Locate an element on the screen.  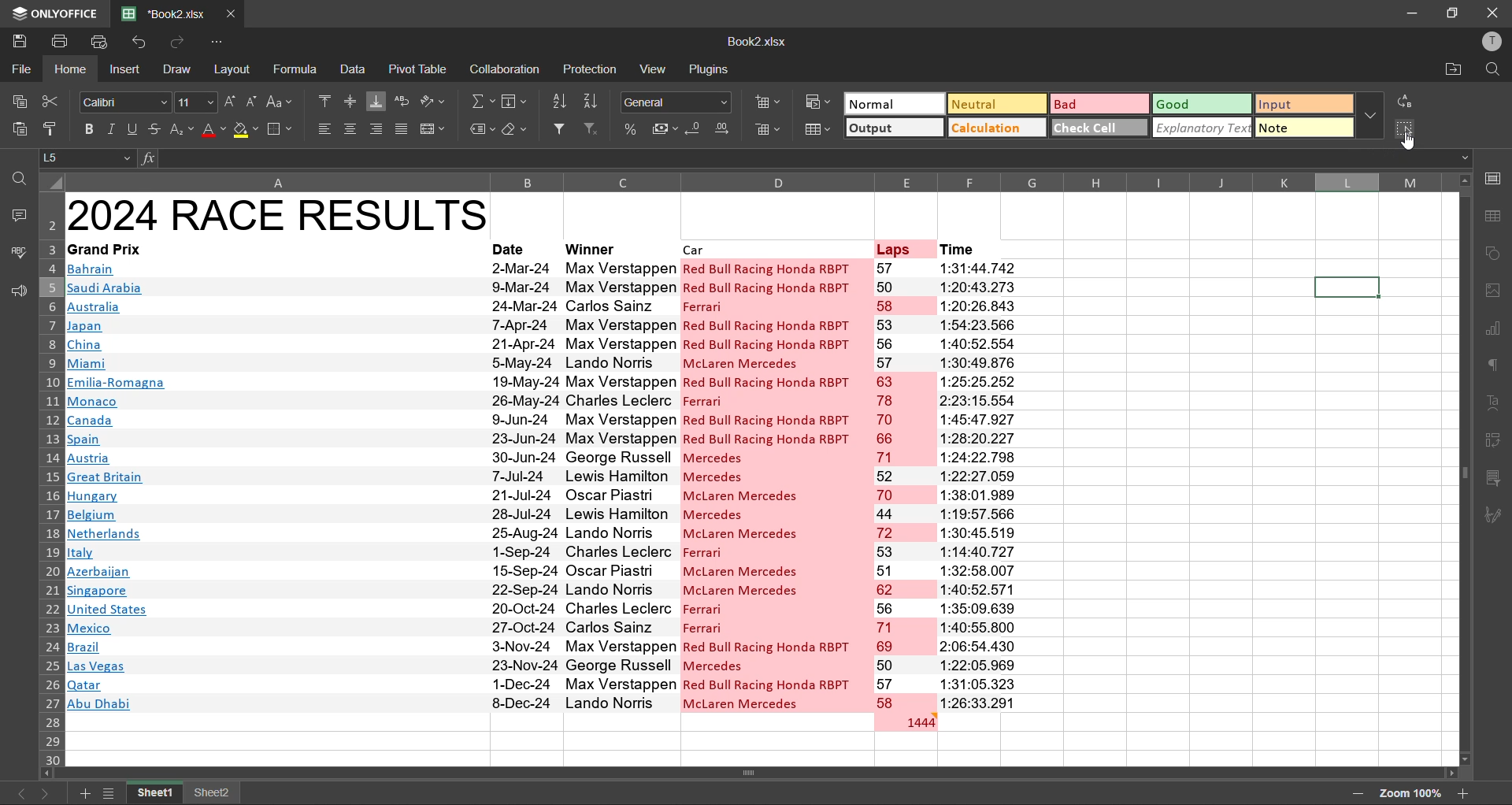
zoom in is located at coordinates (1466, 791).